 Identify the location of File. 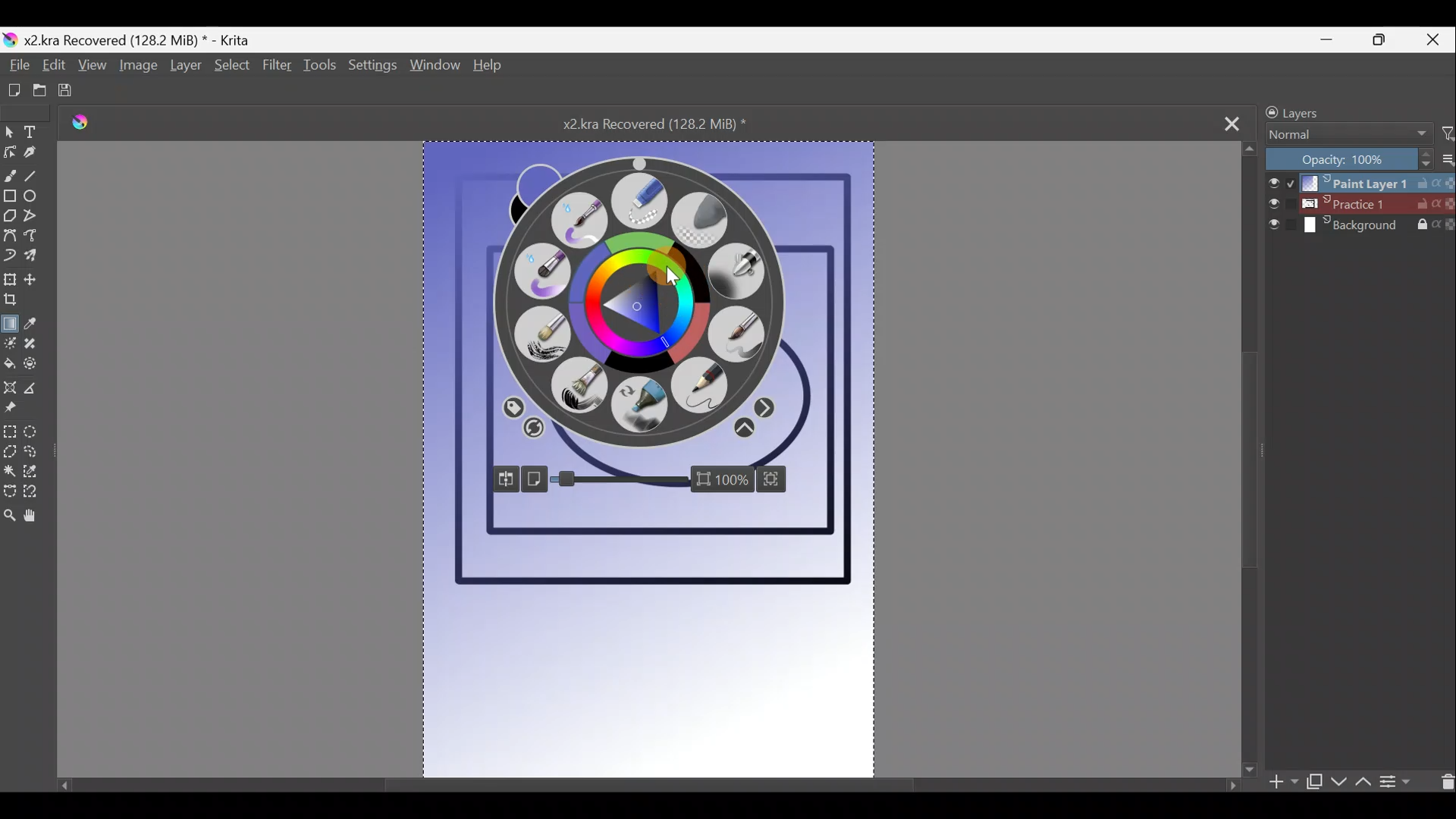
(17, 66).